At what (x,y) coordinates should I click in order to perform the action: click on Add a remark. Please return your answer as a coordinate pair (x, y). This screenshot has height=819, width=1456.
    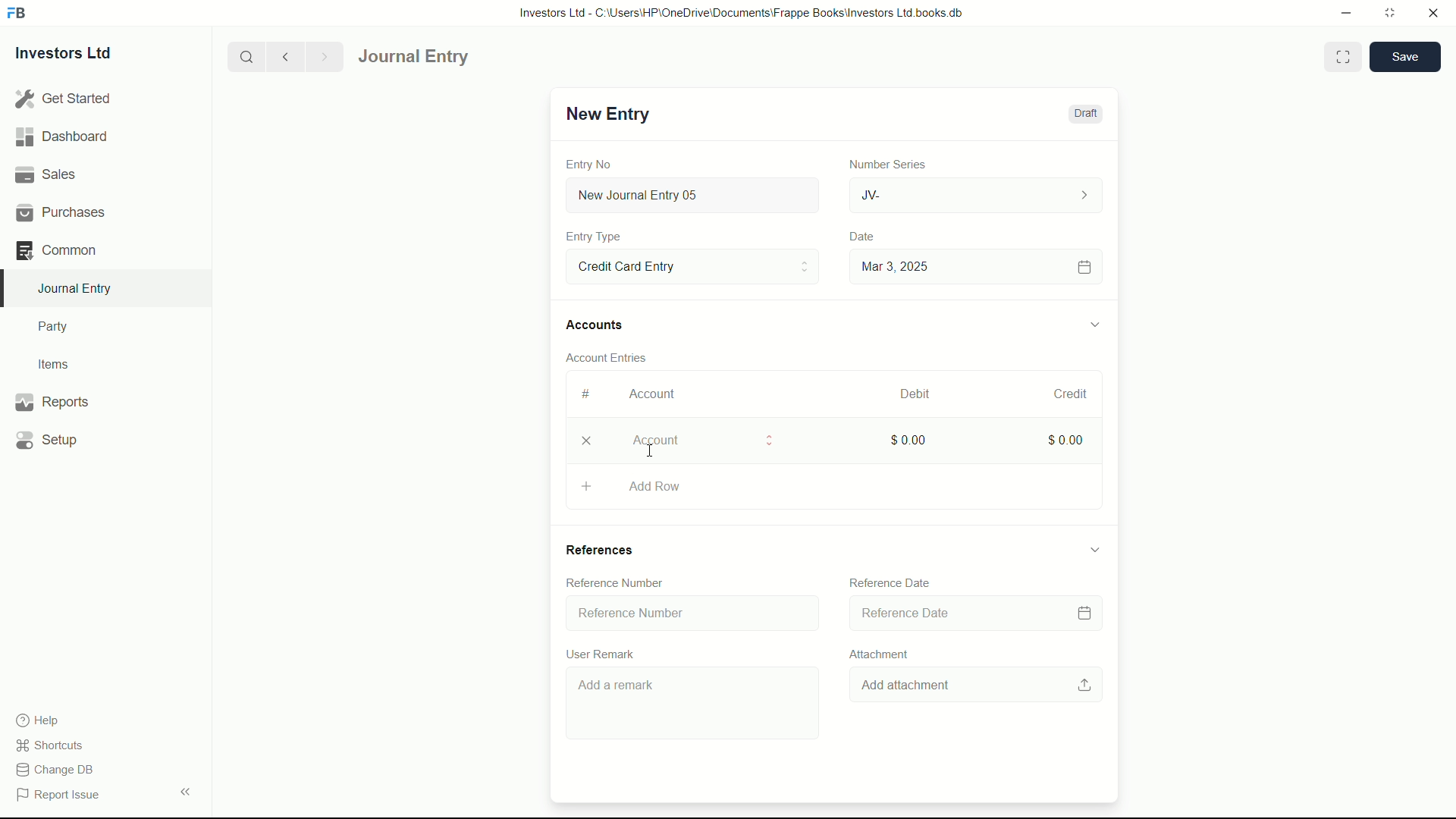
    Looking at the image, I should click on (695, 705).